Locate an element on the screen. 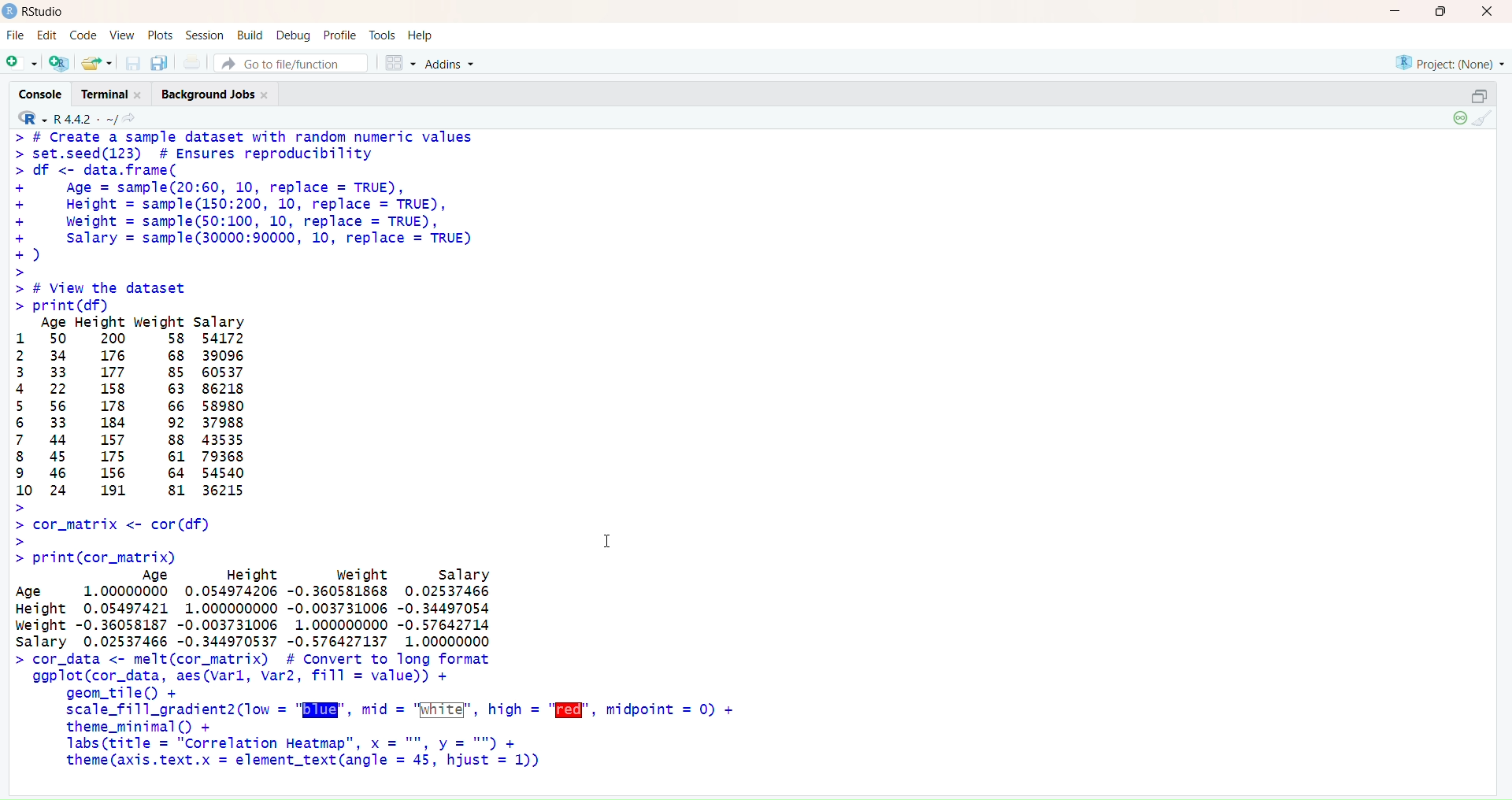 The image size is (1512, 800). Tools is located at coordinates (381, 34).